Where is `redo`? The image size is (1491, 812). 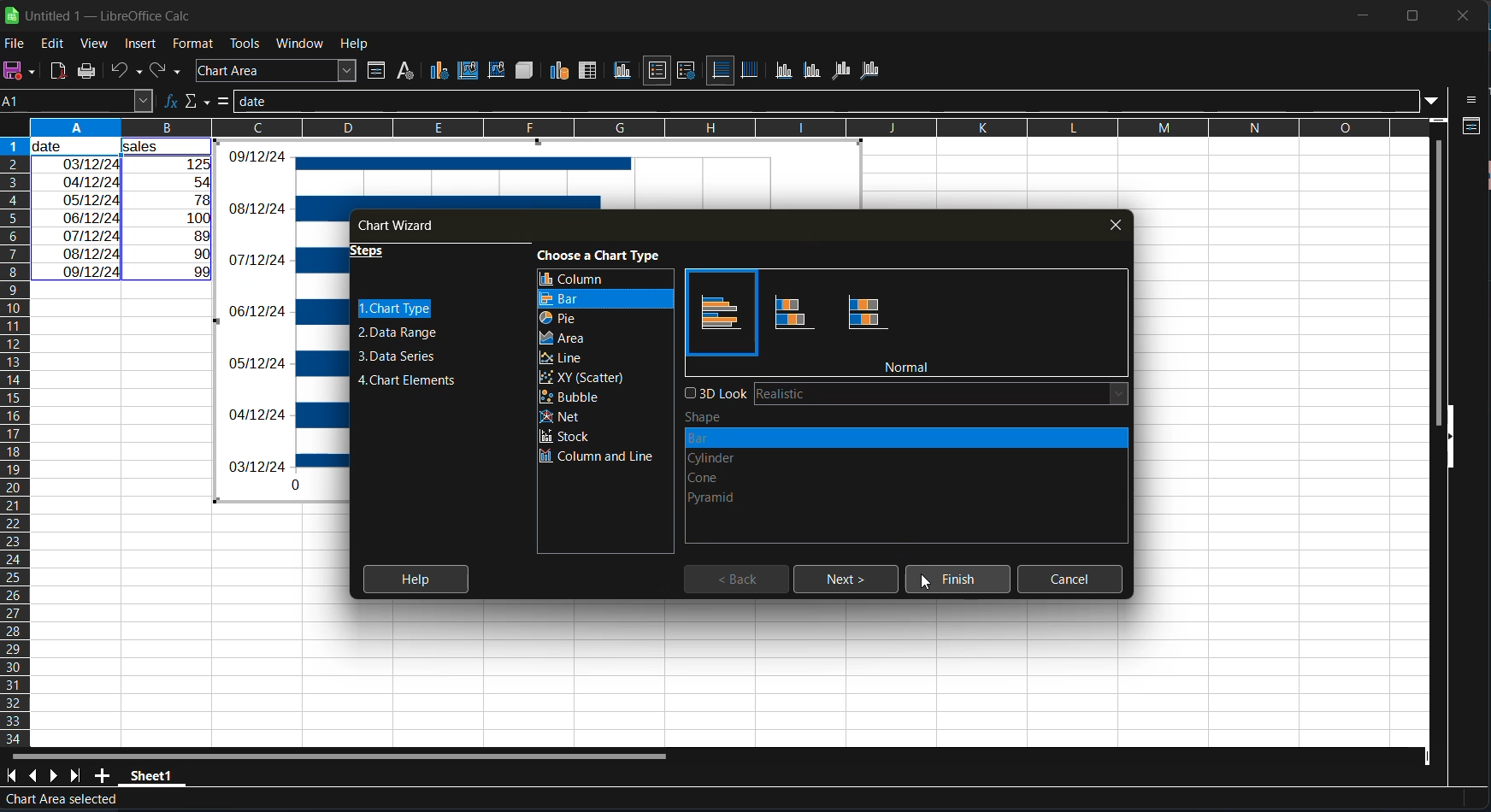
redo is located at coordinates (167, 68).